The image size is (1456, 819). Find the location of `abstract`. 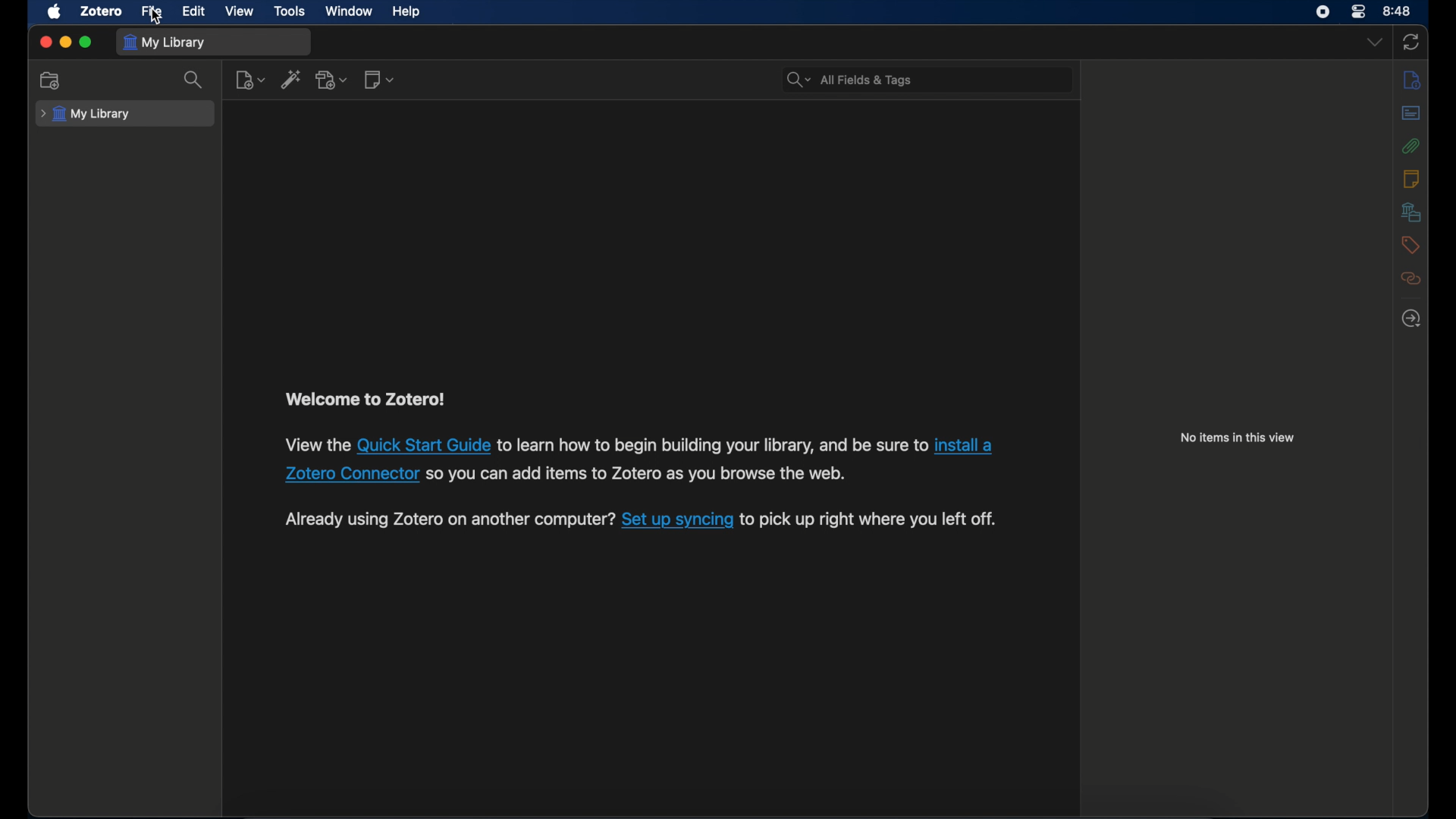

abstract is located at coordinates (1410, 112).